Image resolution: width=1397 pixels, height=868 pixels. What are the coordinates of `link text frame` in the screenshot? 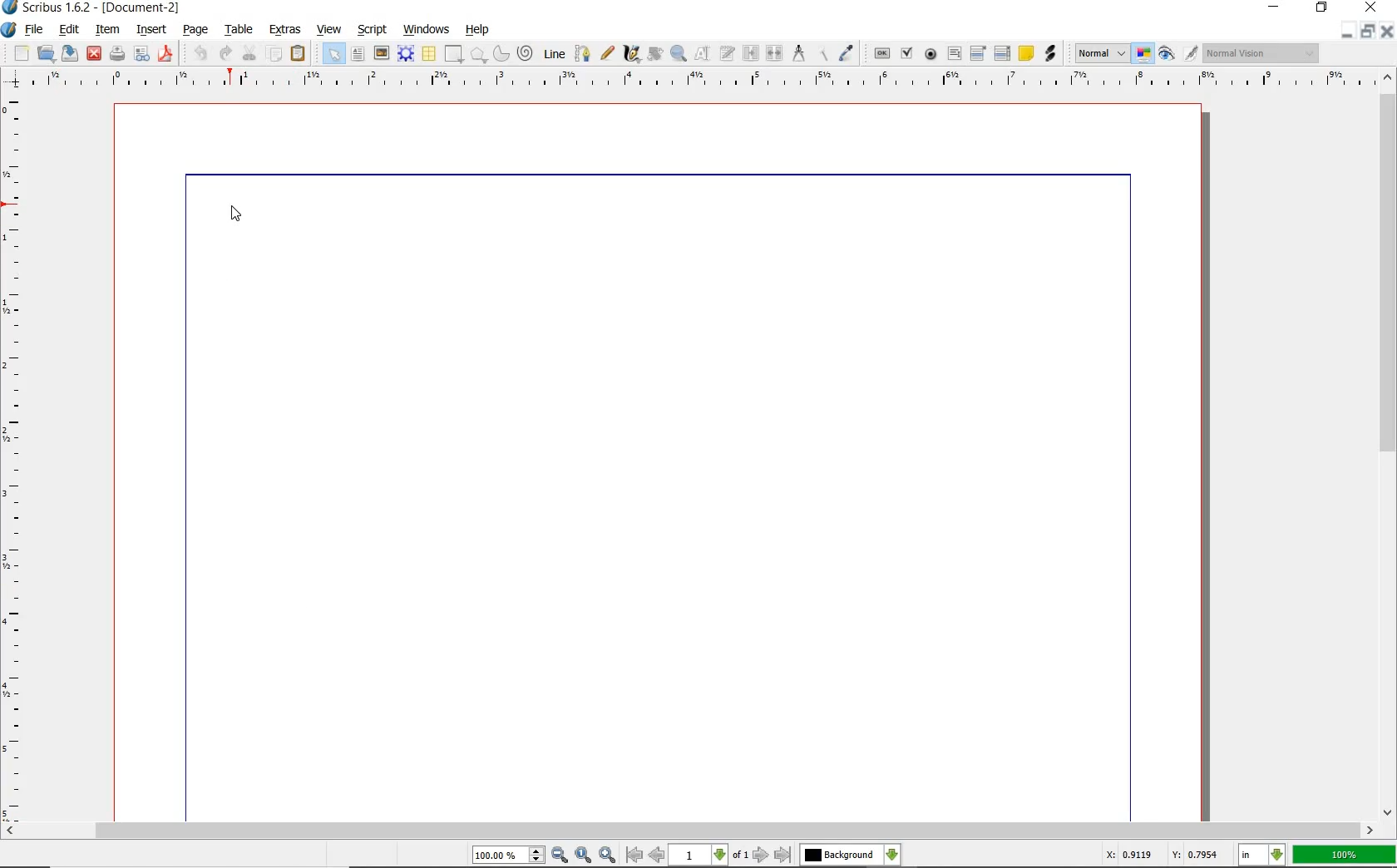 It's located at (749, 54).